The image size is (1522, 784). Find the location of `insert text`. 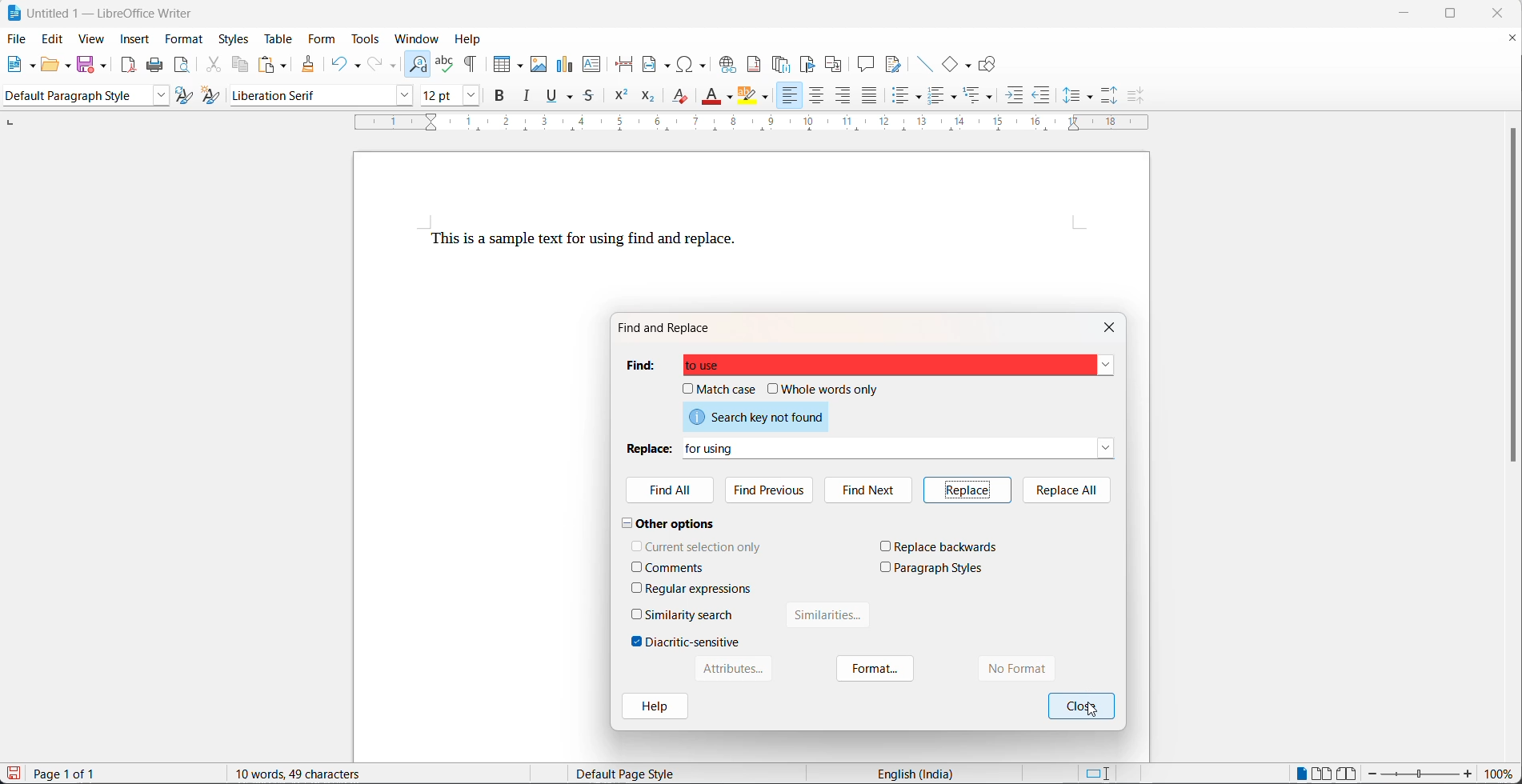

insert text is located at coordinates (593, 66).